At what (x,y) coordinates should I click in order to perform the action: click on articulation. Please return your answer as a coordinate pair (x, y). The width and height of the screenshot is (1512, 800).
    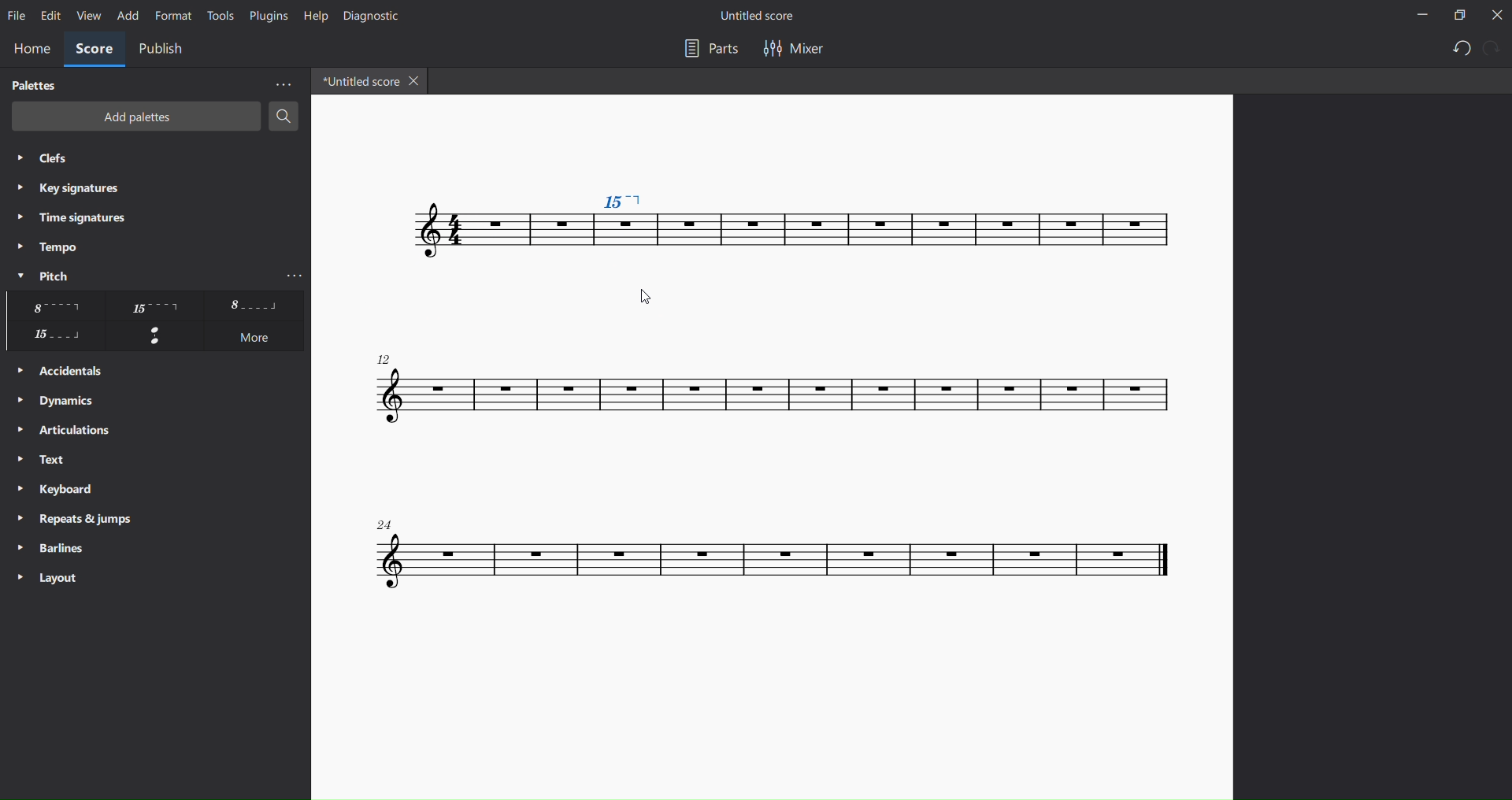
    Looking at the image, I should click on (70, 431).